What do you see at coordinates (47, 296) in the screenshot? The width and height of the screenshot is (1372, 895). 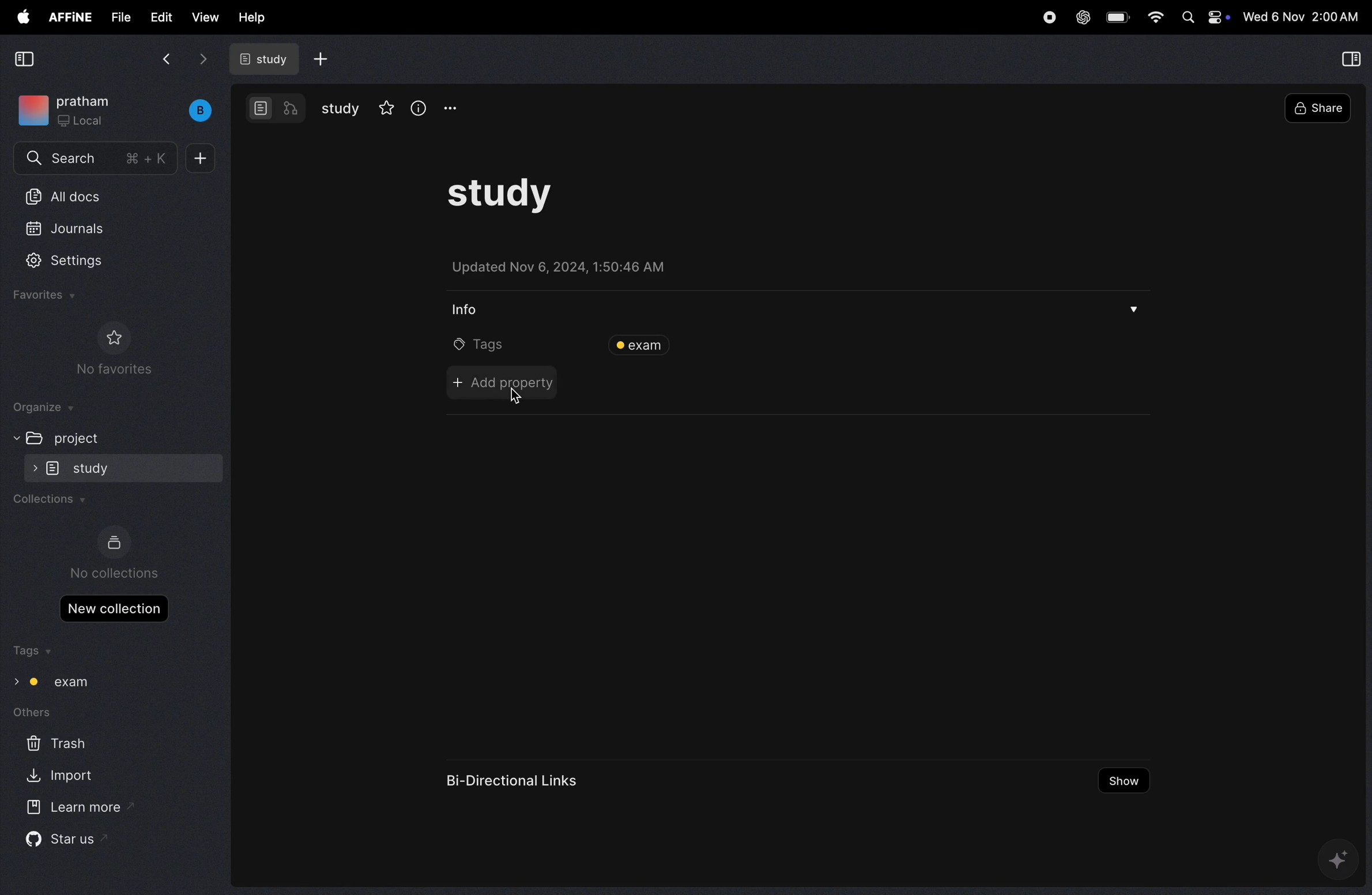 I see `favourites` at bounding box center [47, 296].